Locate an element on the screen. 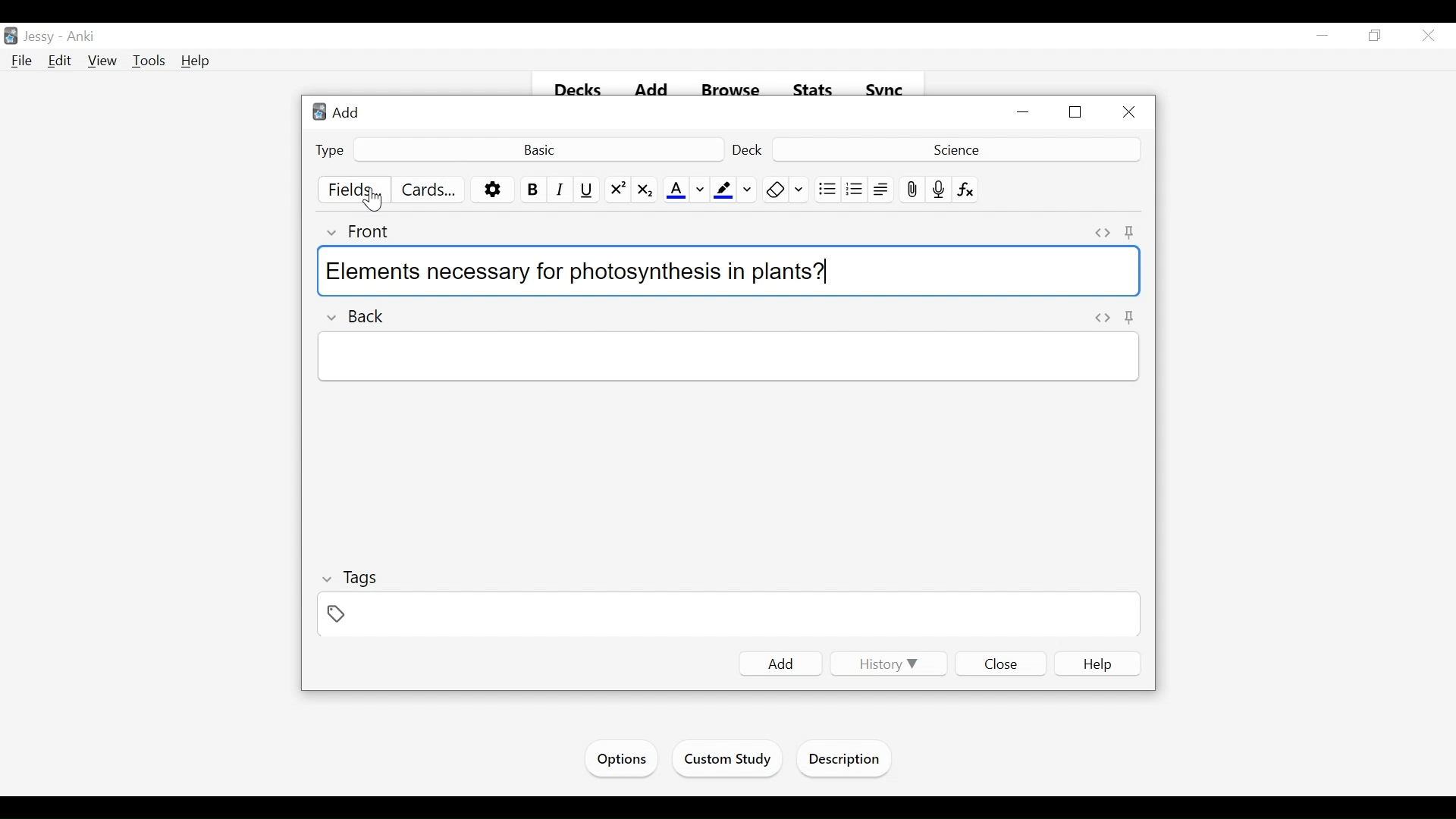 The height and width of the screenshot is (819, 1456). Fields is located at coordinates (356, 190).